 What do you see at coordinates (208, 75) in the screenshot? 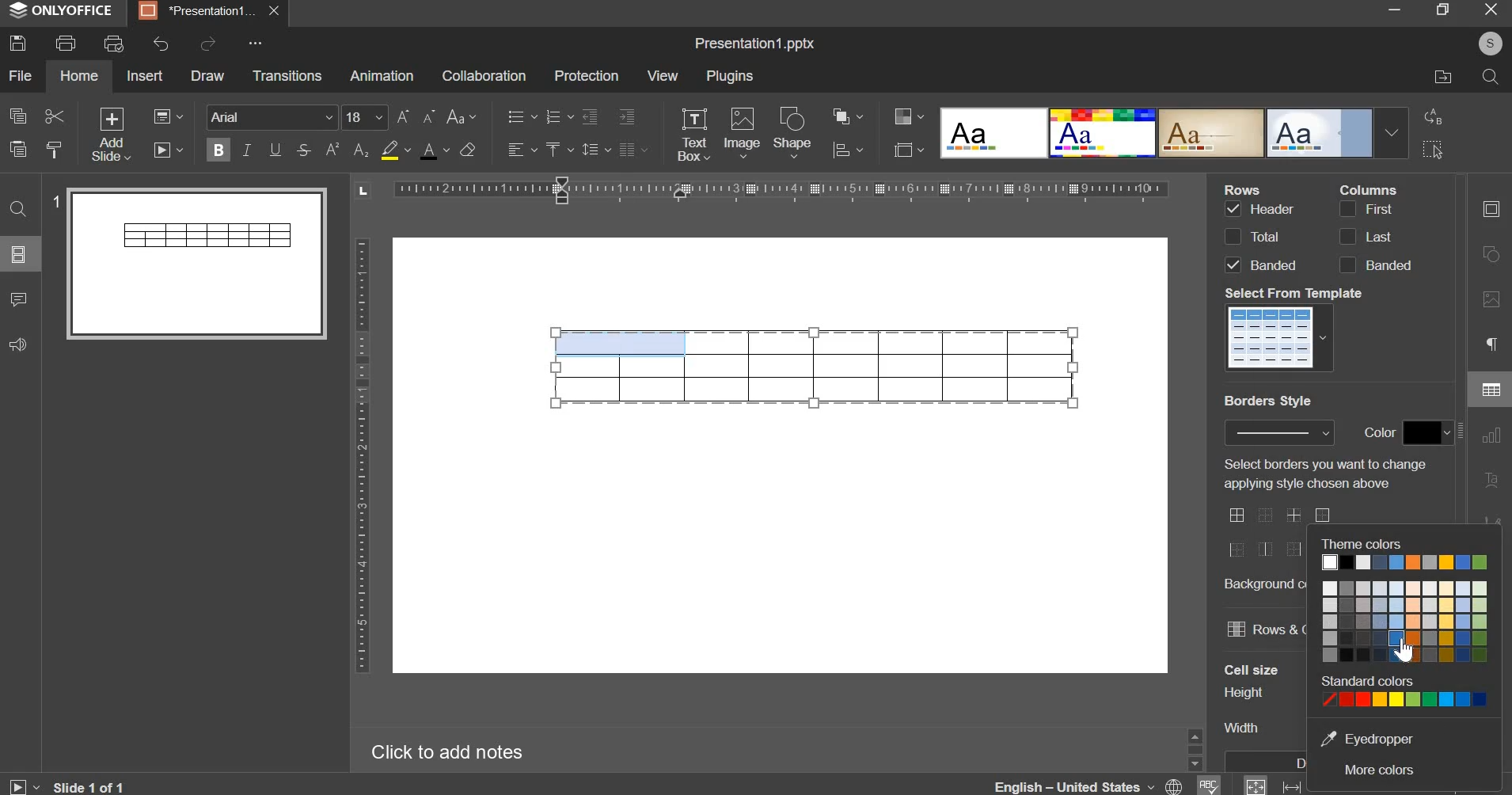
I see `draw` at bounding box center [208, 75].